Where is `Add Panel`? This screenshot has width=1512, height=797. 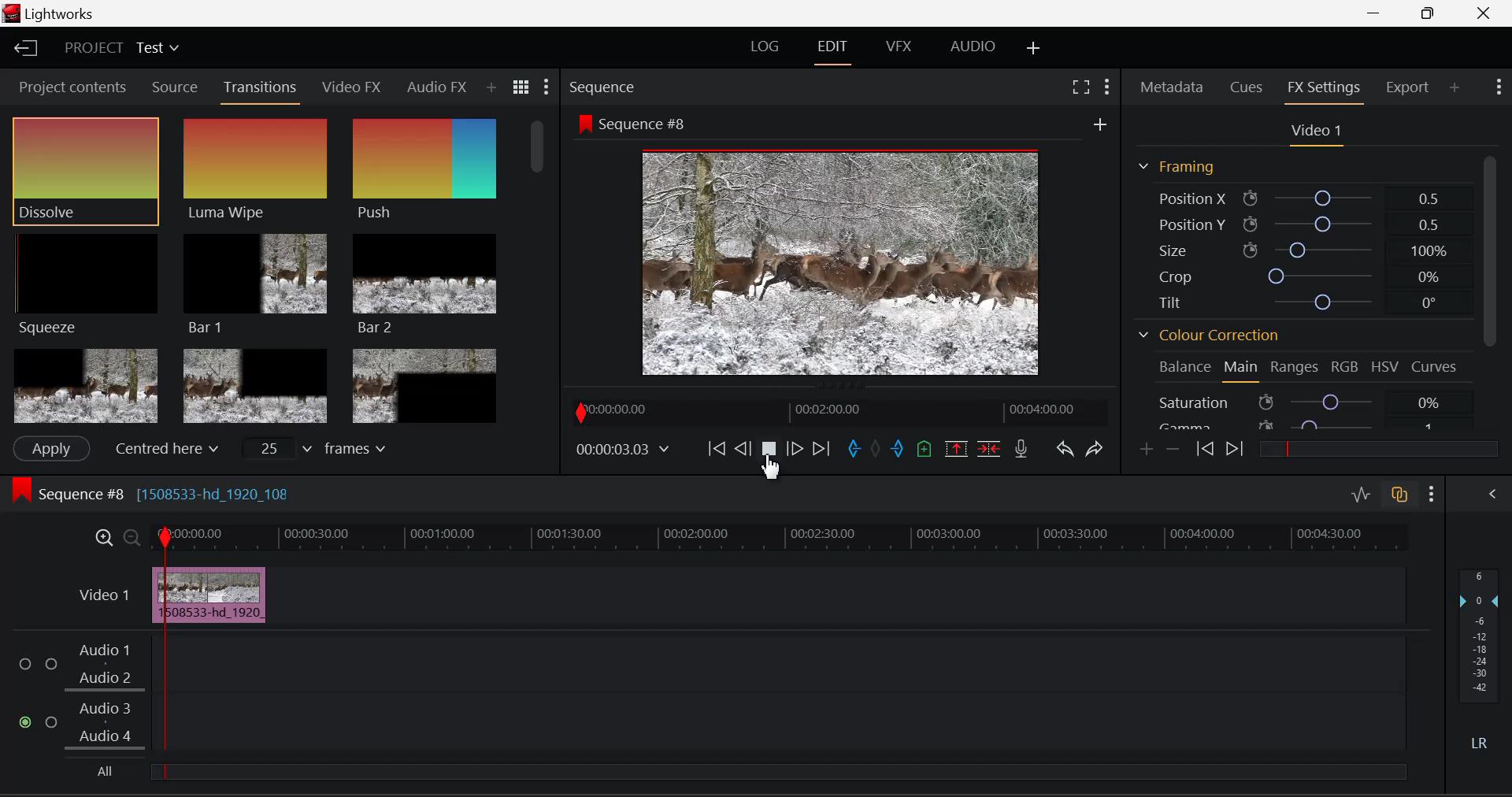 Add Panel is located at coordinates (1455, 88).